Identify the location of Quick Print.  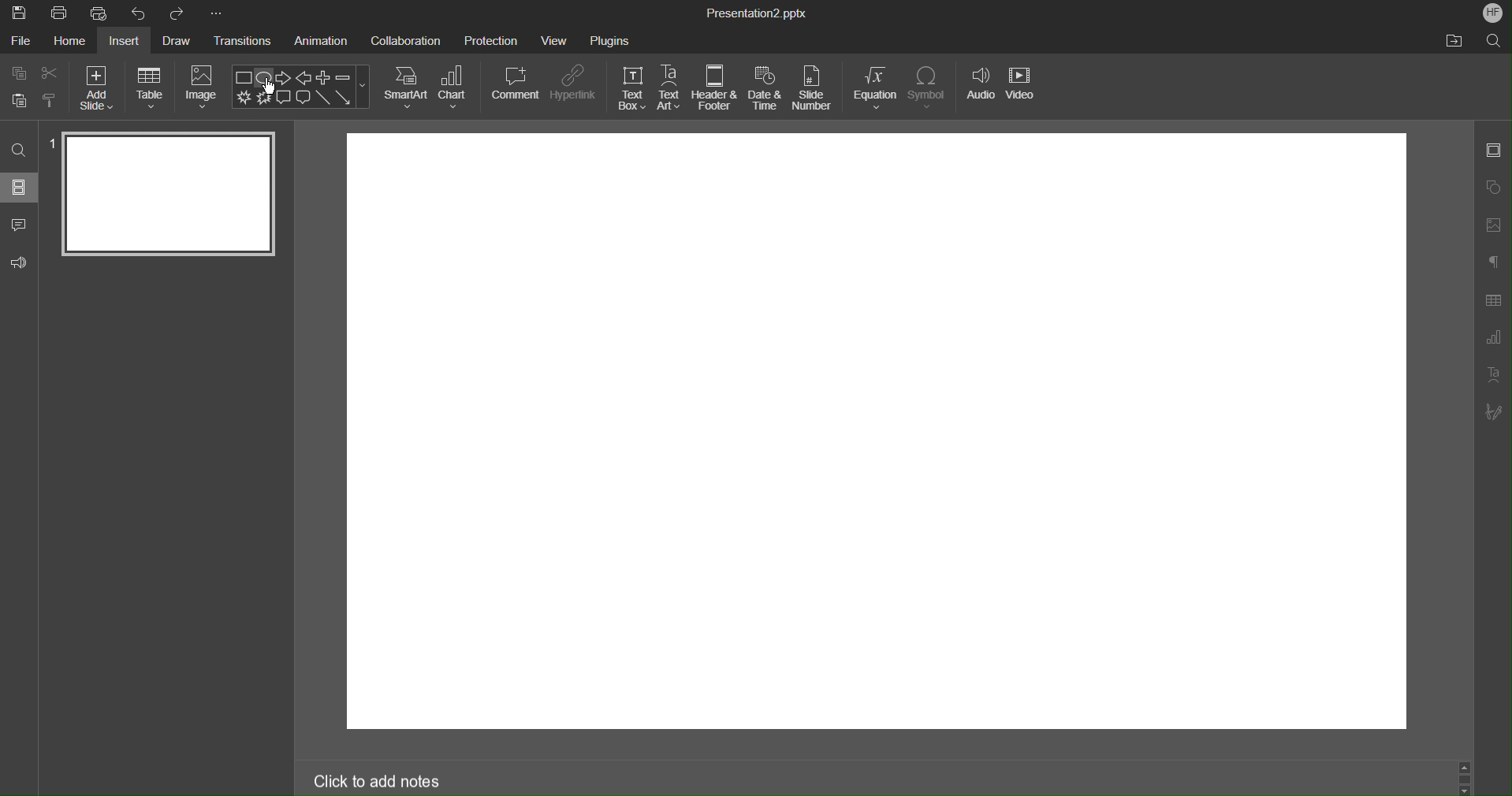
(103, 14).